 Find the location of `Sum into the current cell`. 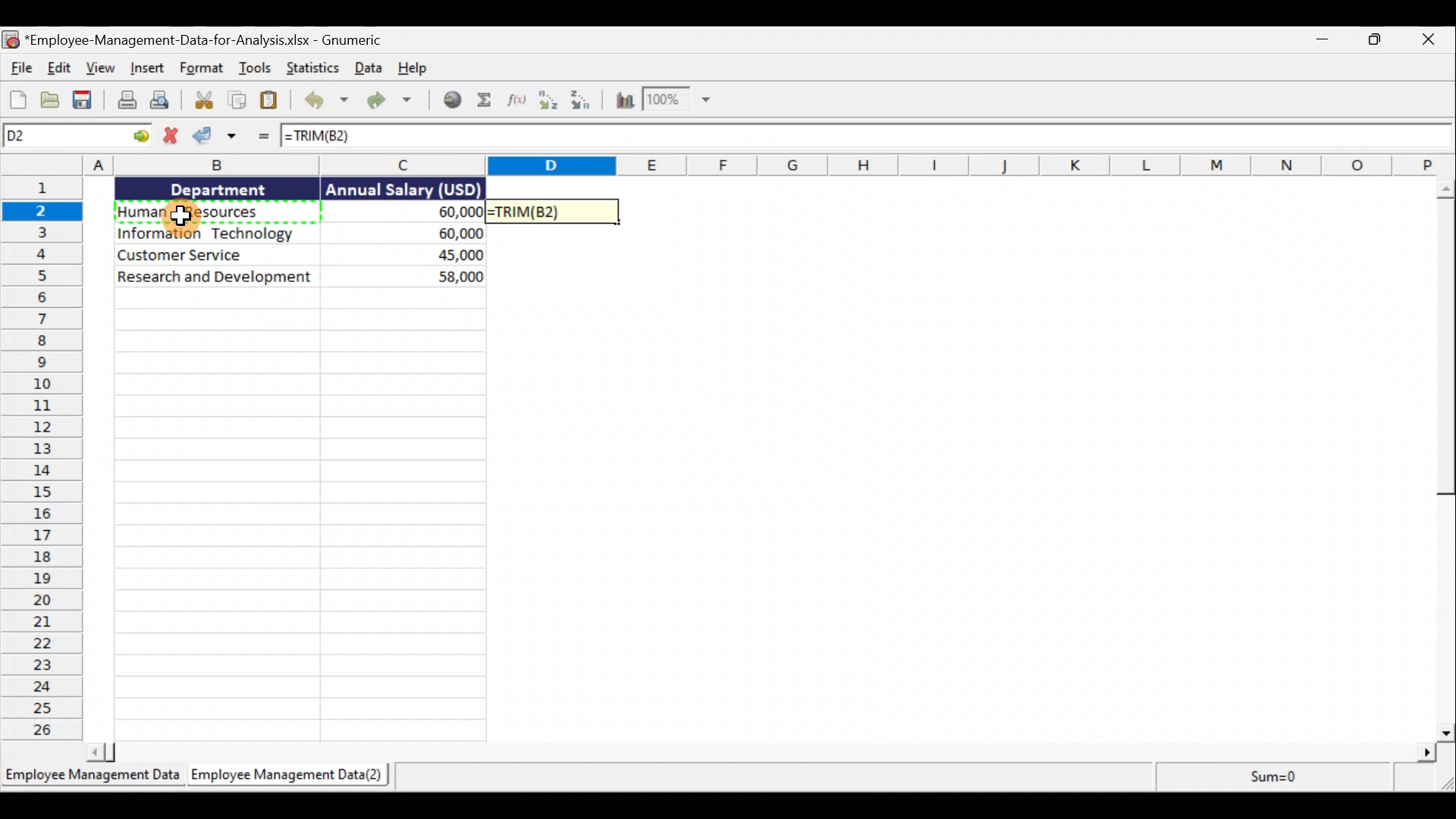

Sum into the current cell is located at coordinates (487, 101).